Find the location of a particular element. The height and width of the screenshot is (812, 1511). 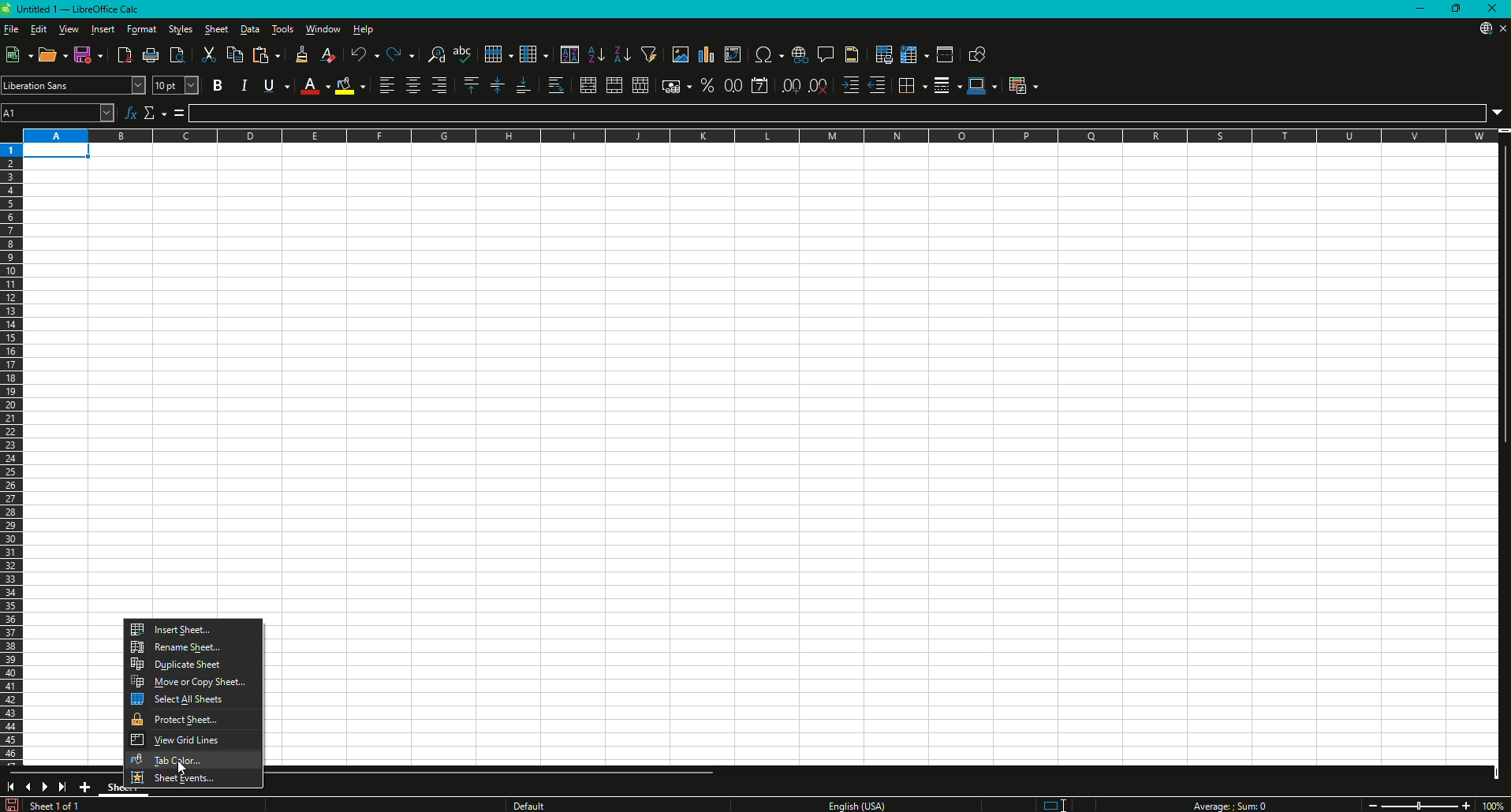

Sort Ascending is located at coordinates (597, 54).